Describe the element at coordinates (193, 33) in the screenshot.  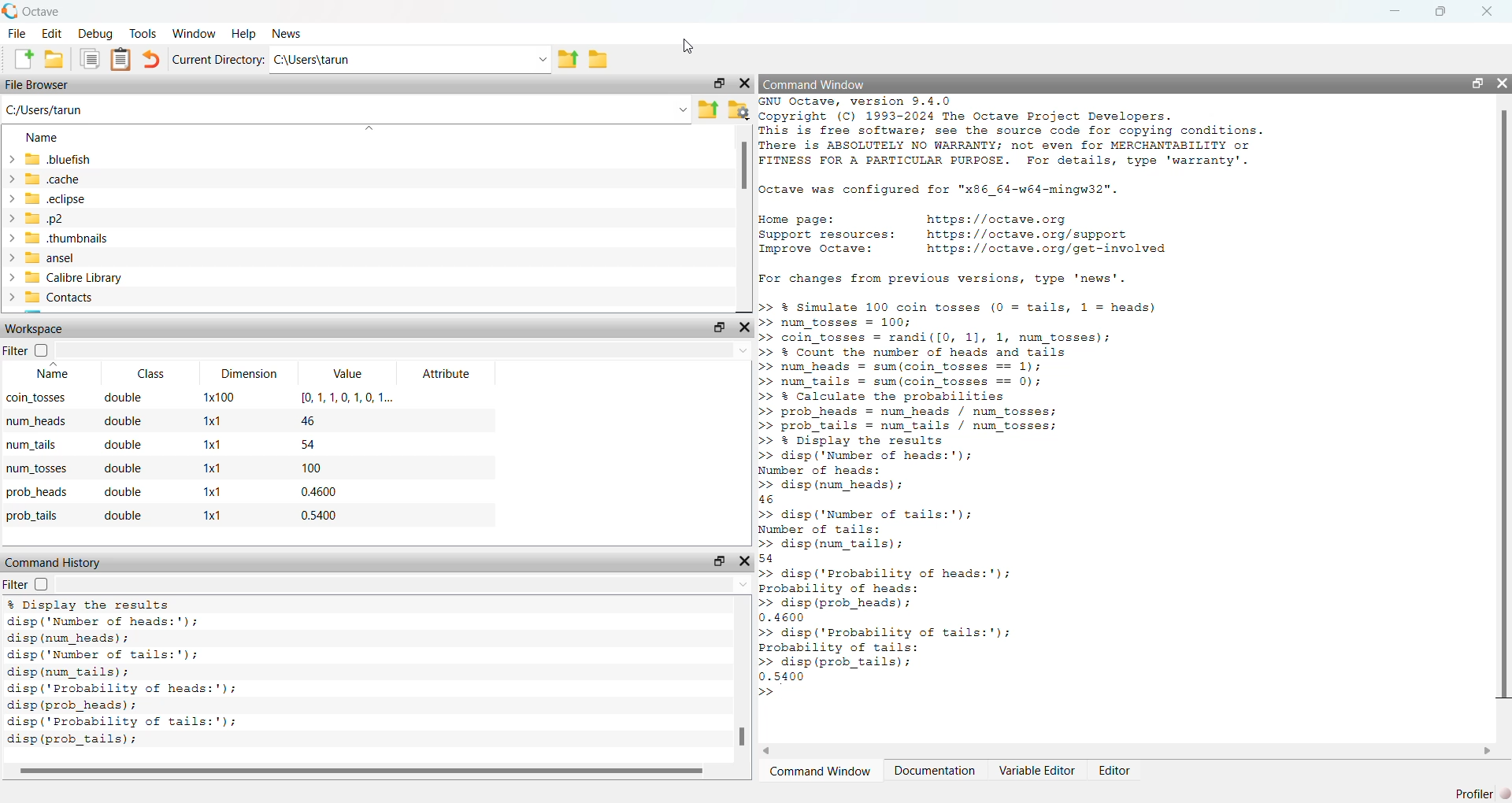
I see `Window` at that location.